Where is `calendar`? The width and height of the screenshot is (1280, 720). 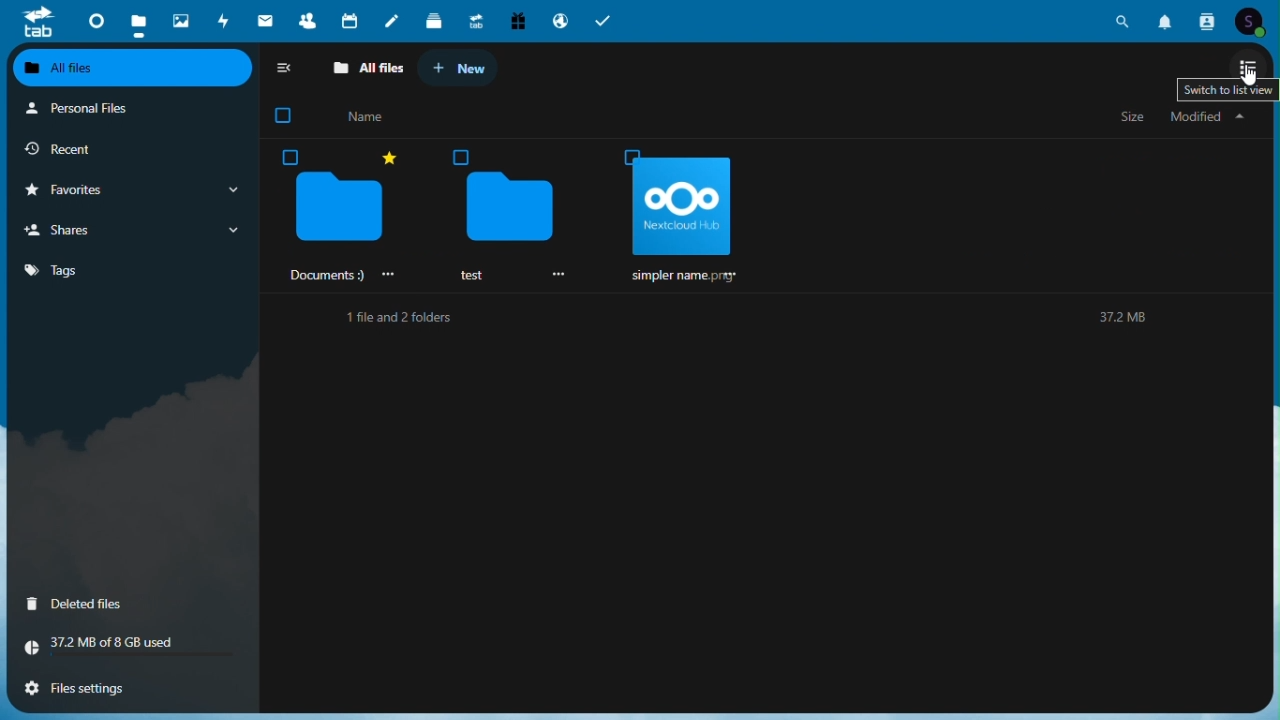
calendar is located at coordinates (349, 19).